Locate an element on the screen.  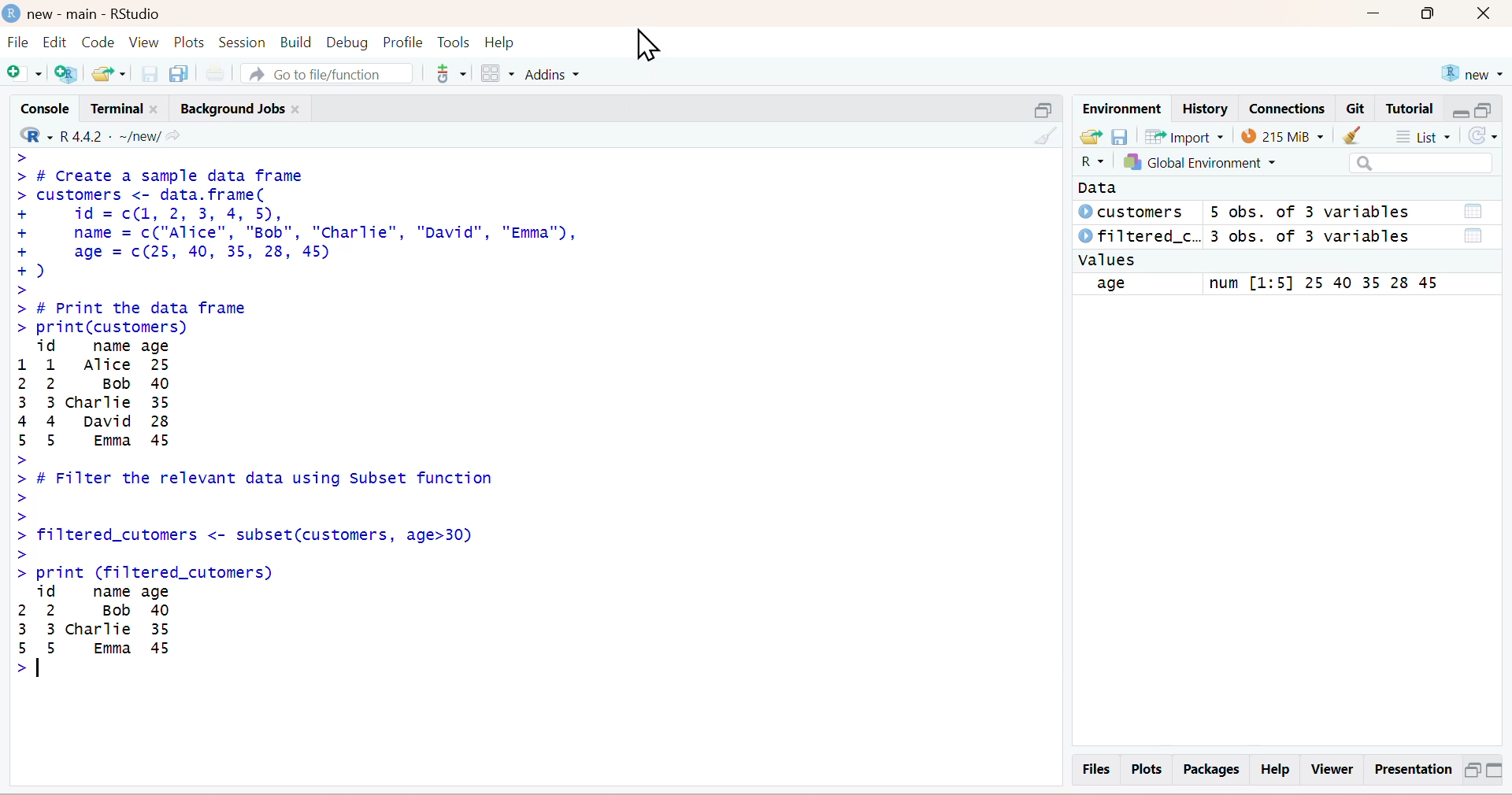
new - main - RStudio is located at coordinates (85, 11).